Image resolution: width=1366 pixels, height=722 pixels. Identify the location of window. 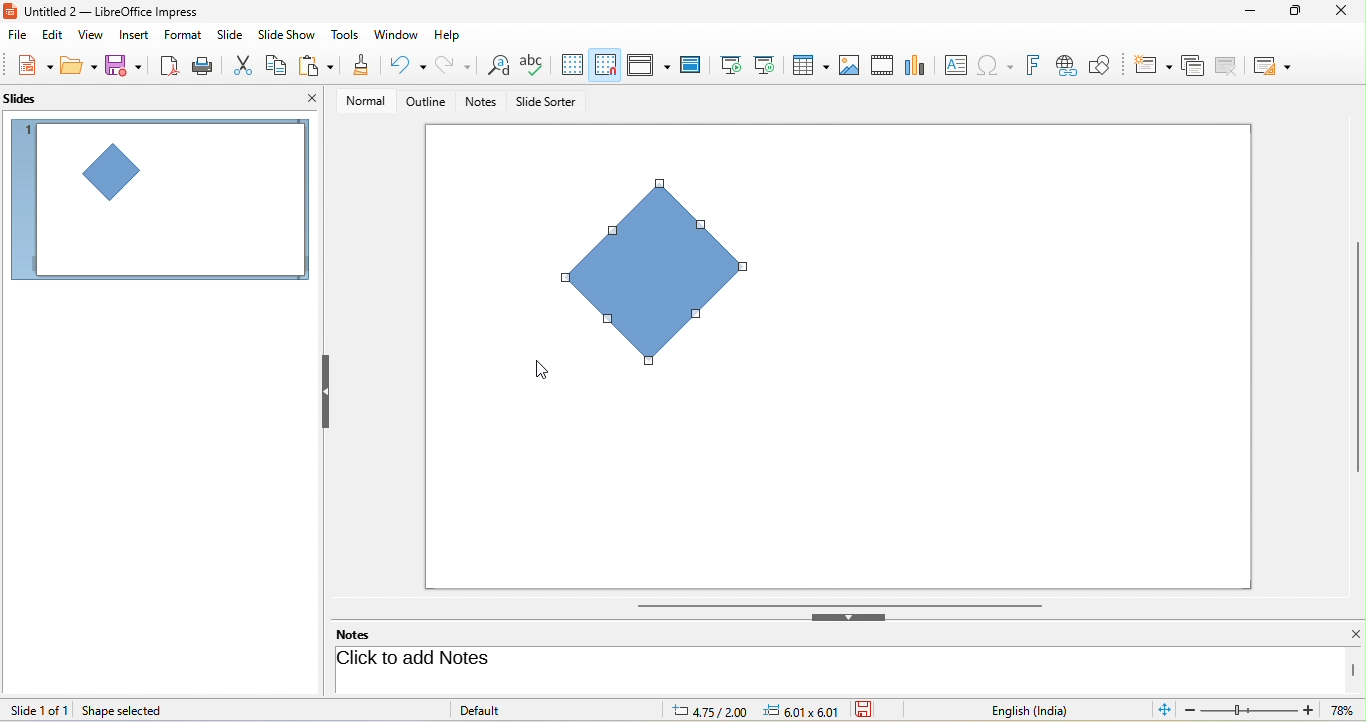
(396, 36).